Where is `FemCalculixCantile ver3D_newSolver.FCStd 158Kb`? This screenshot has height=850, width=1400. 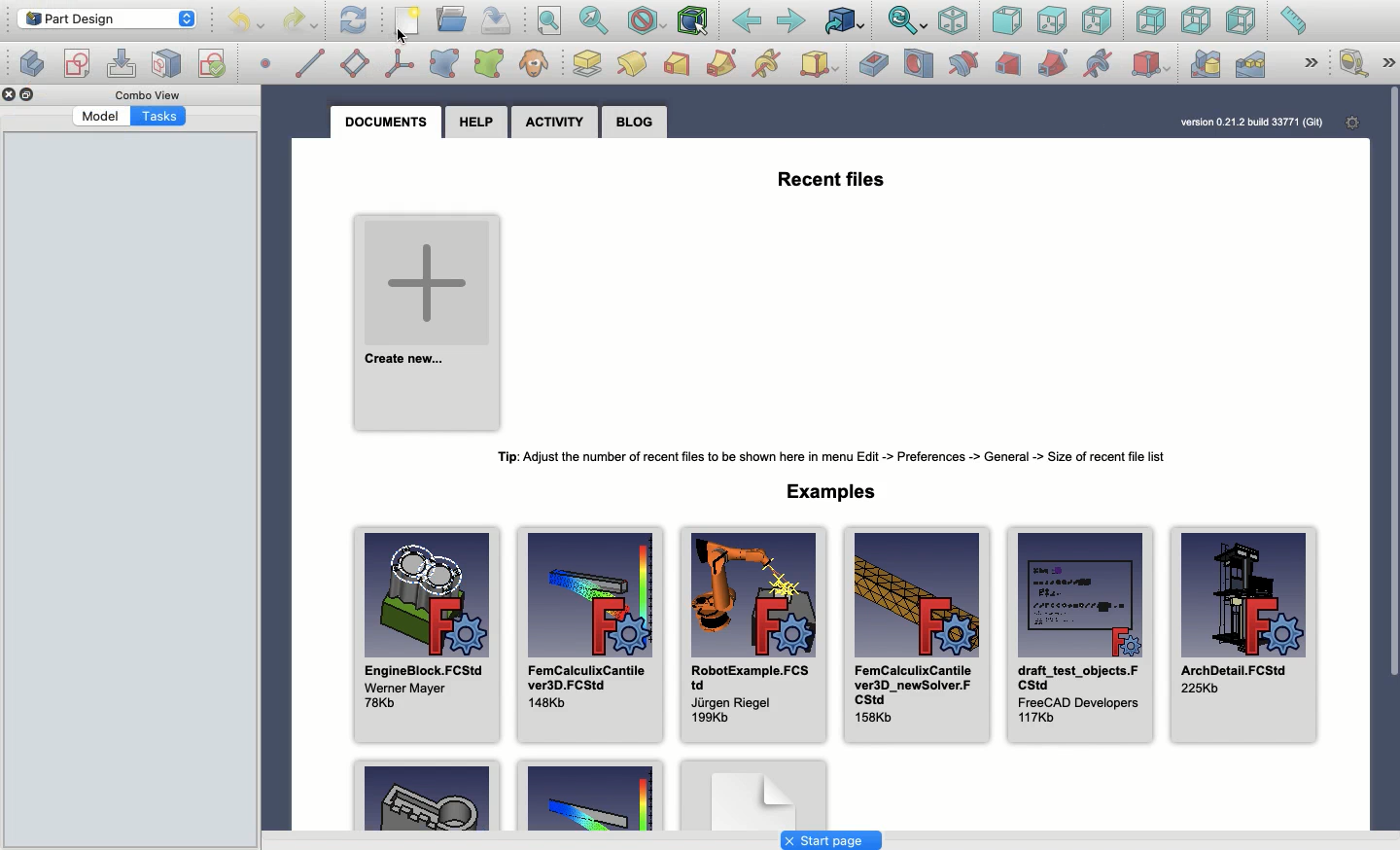
FemCalculixCantile ver3D_newSolver.FCStd 158Kb is located at coordinates (914, 633).